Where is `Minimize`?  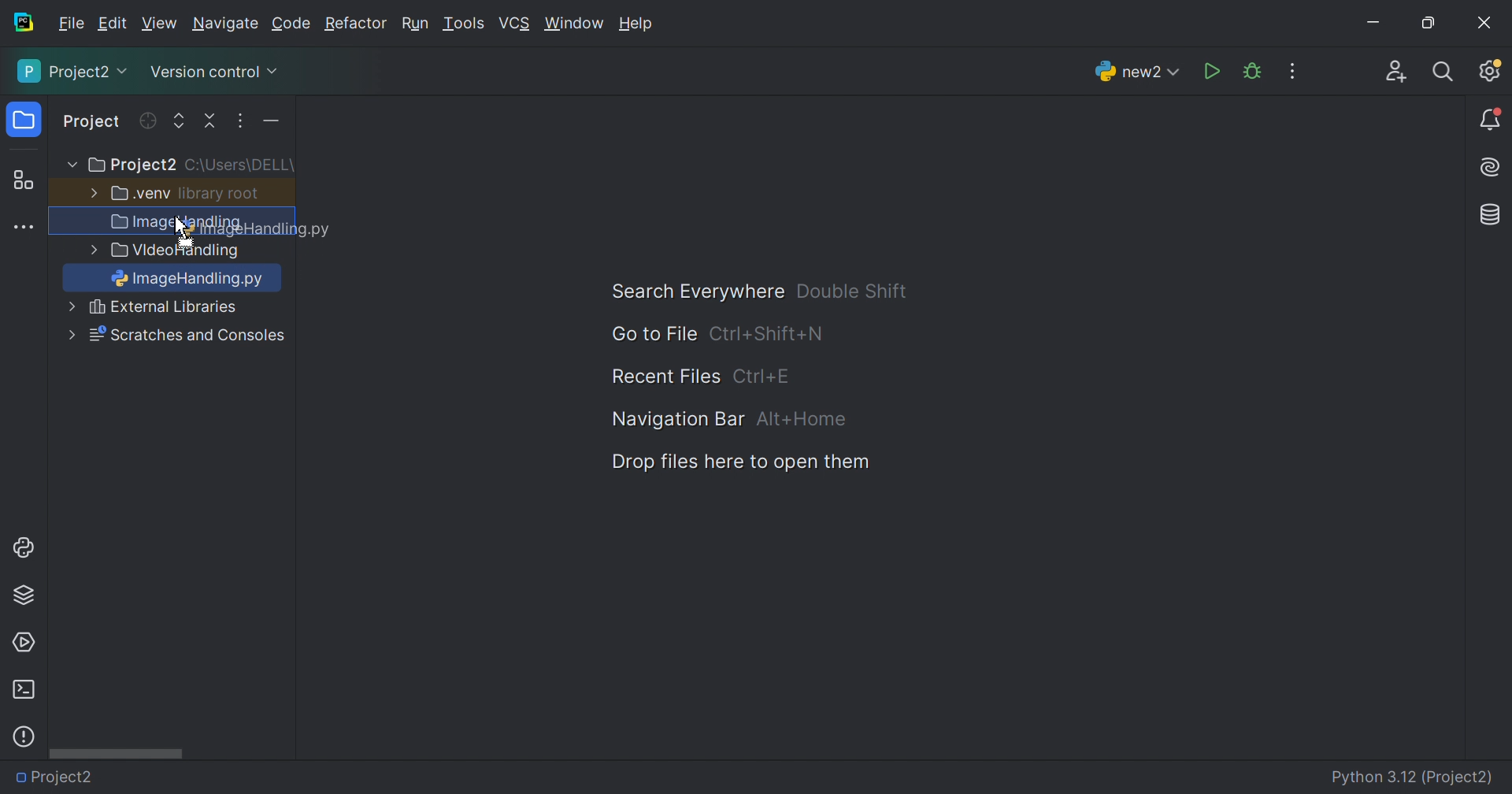 Minimize is located at coordinates (1378, 25).